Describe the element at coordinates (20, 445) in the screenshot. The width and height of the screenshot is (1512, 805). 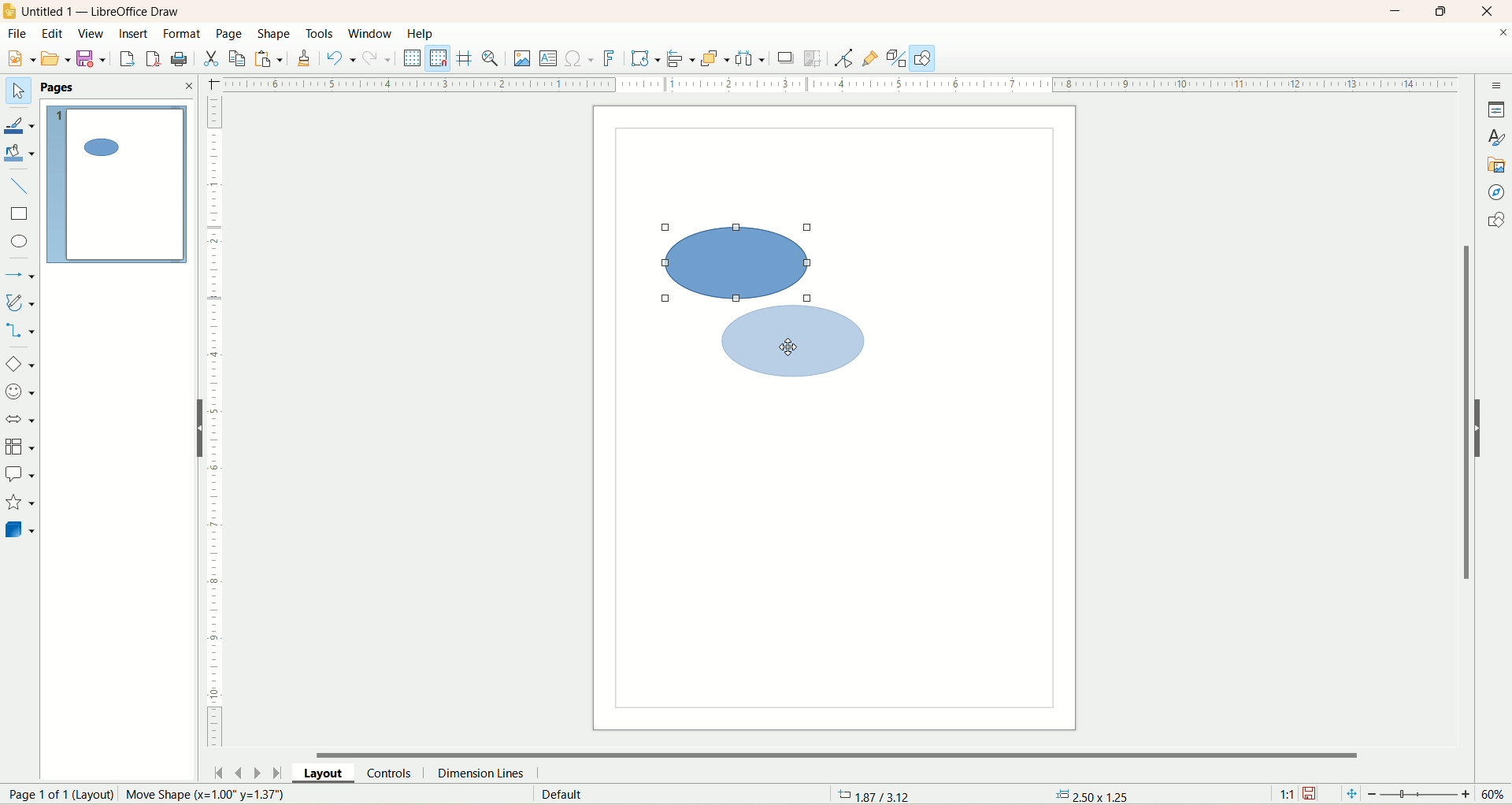
I see `flowchart` at that location.